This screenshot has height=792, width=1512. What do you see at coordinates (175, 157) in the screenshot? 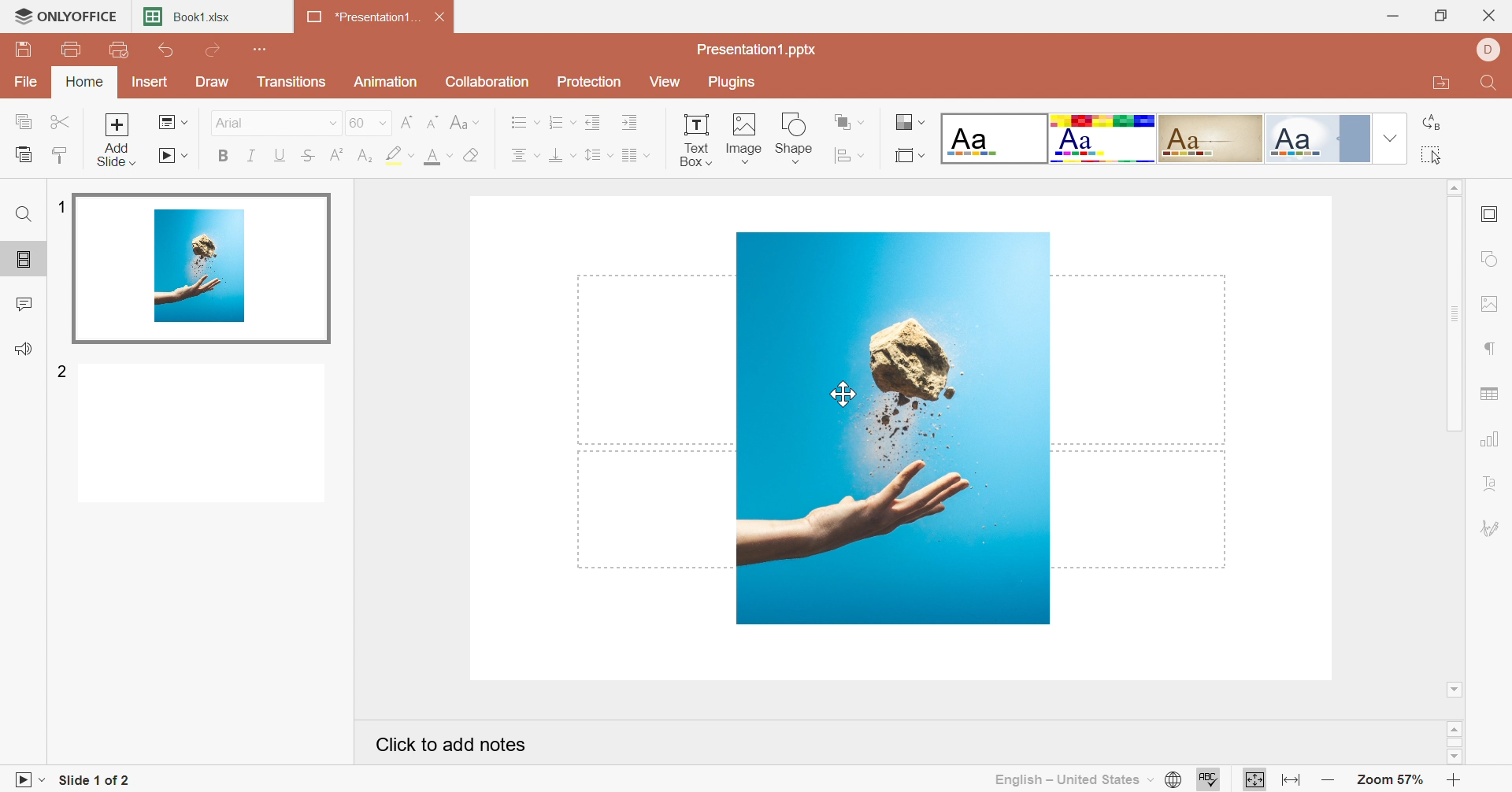
I see `Start slideshow` at bounding box center [175, 157].